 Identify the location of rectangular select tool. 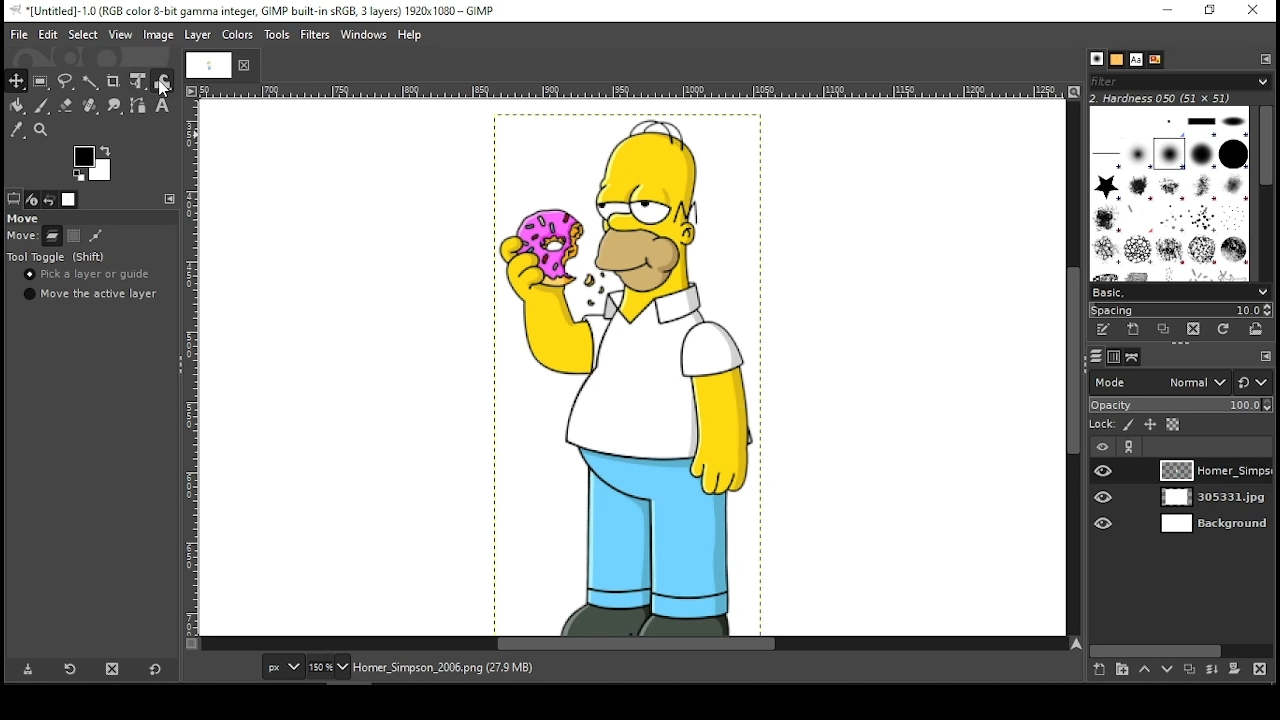
(43, 80).